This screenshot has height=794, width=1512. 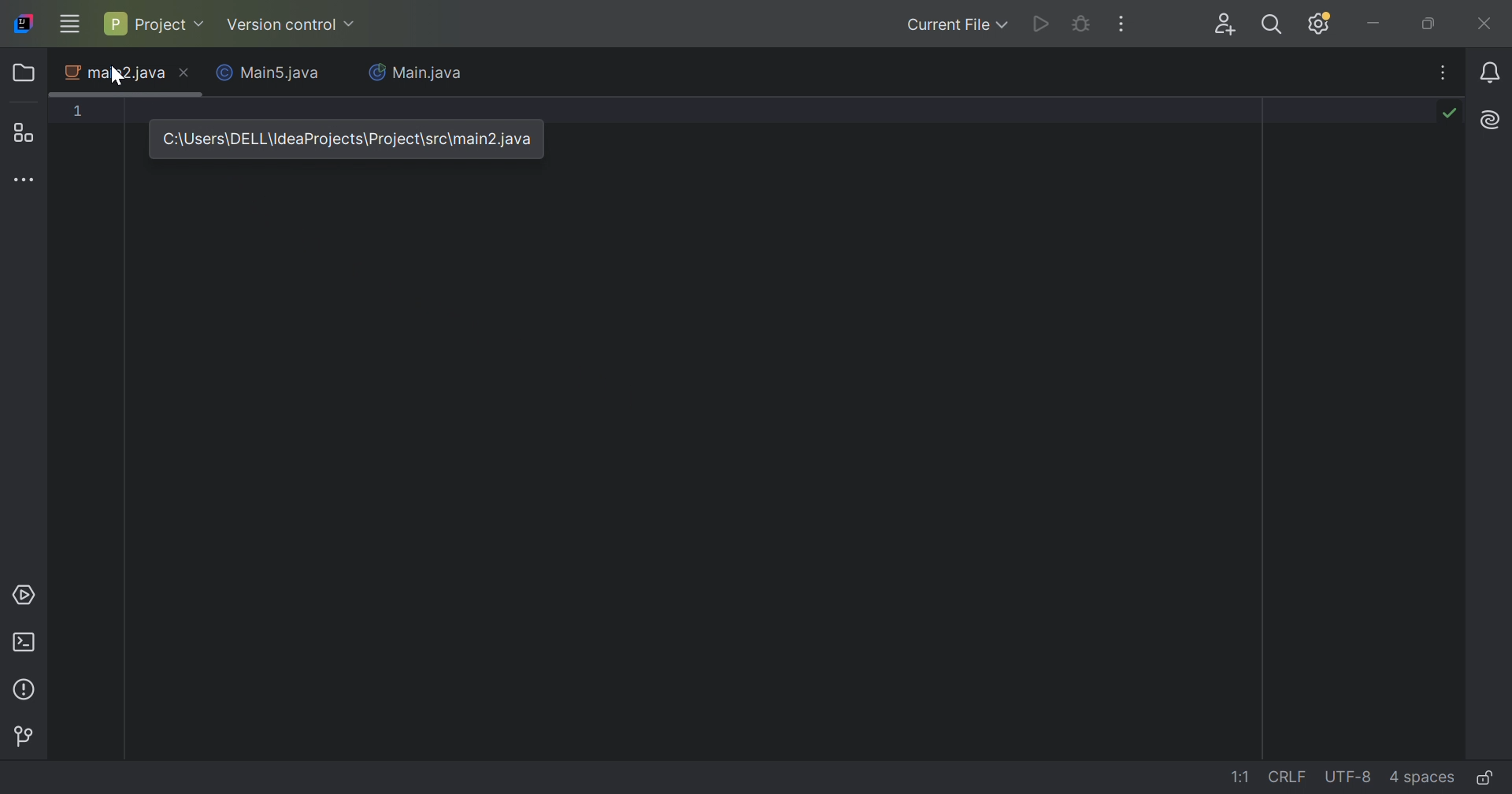 I want to click on Current file, so click(x=957, y=24).